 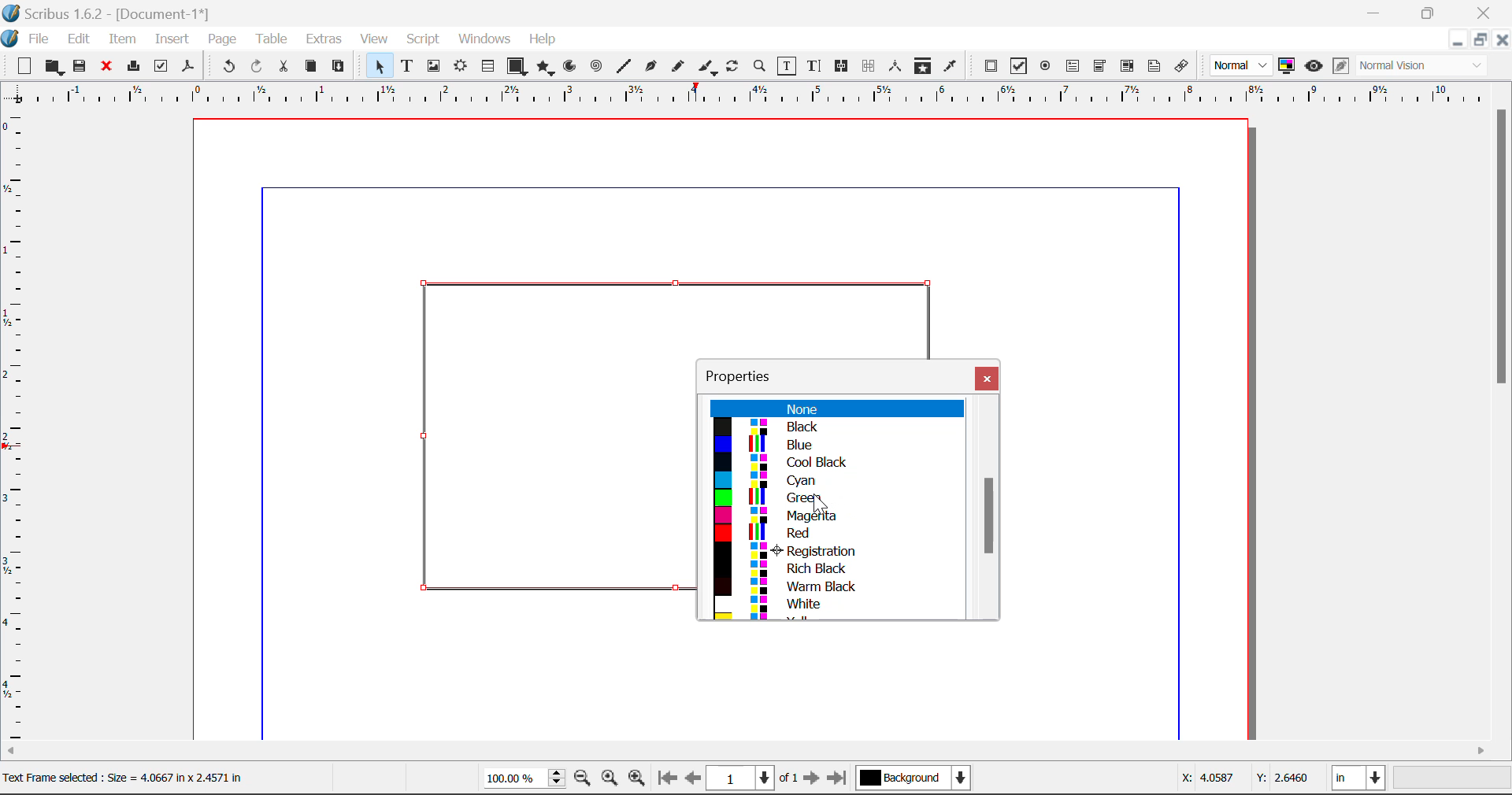 I want to click on Extras, so click(x=325, y=39).